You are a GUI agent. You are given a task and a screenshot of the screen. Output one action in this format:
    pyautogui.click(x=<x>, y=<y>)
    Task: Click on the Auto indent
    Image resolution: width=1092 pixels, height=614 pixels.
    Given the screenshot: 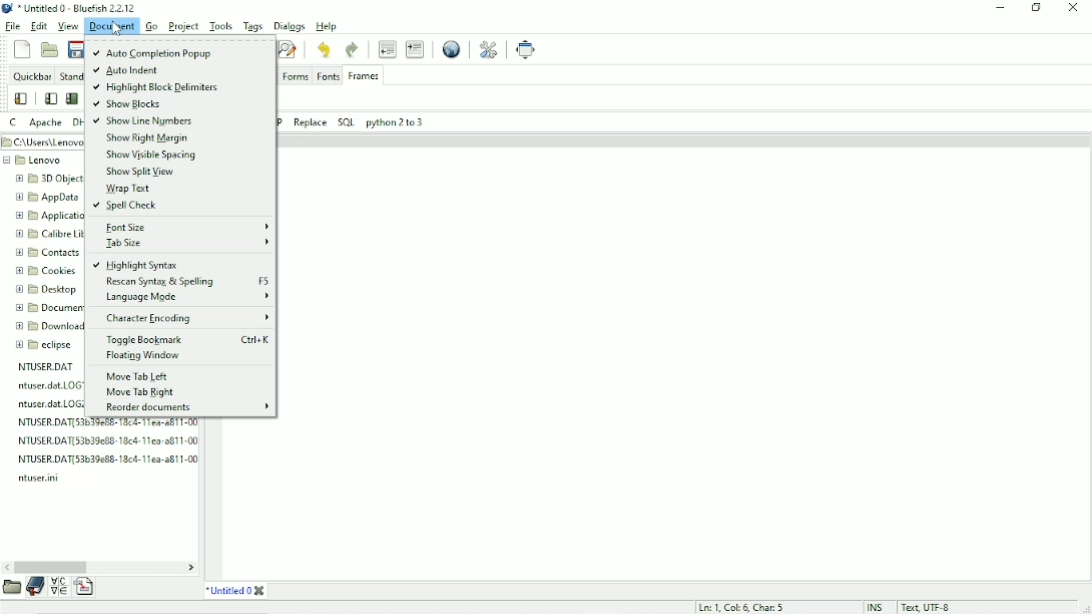 What is the action you would take?
    pyautogui.click(x=126, y=70)
    